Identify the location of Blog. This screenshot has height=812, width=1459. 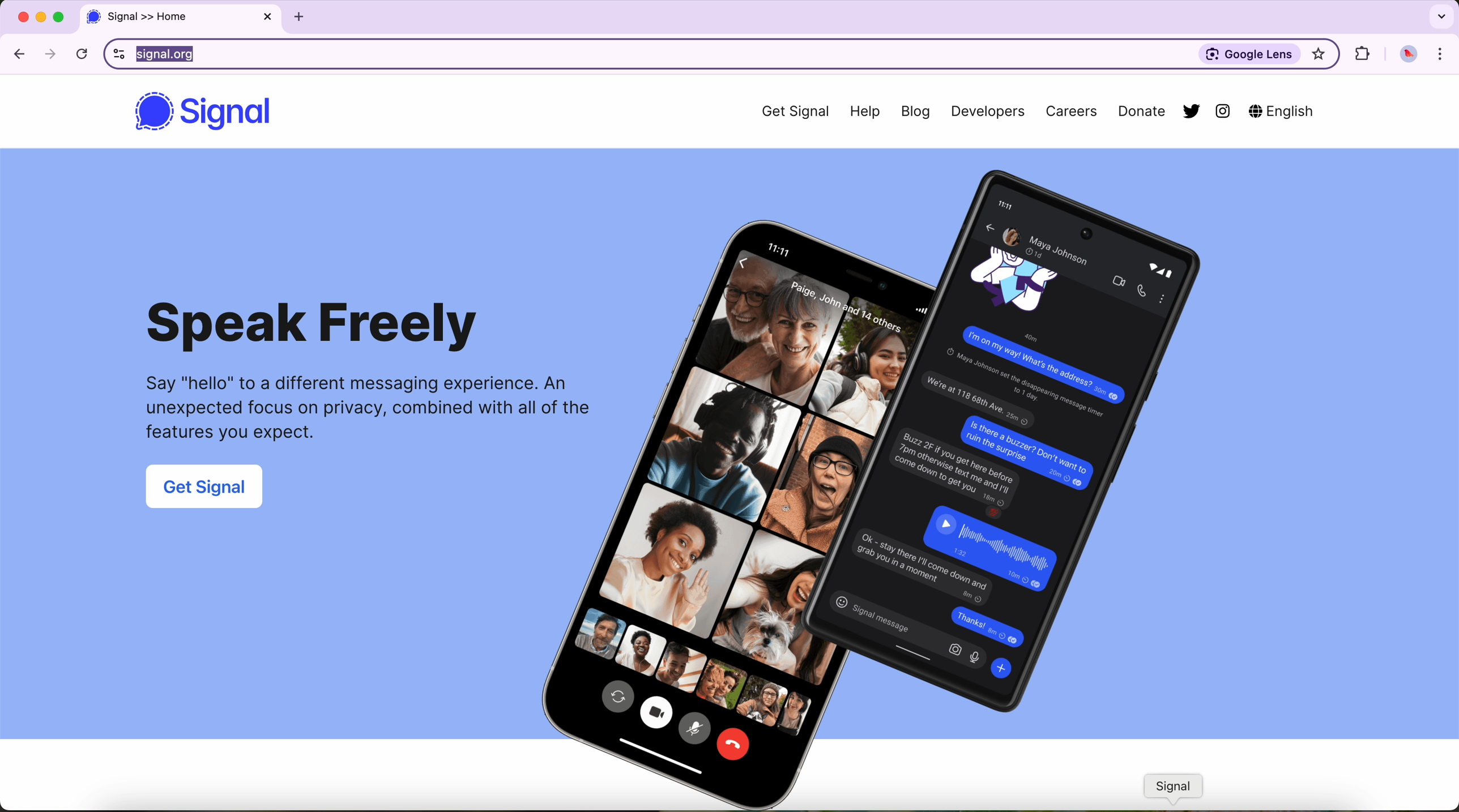
(918, 114).